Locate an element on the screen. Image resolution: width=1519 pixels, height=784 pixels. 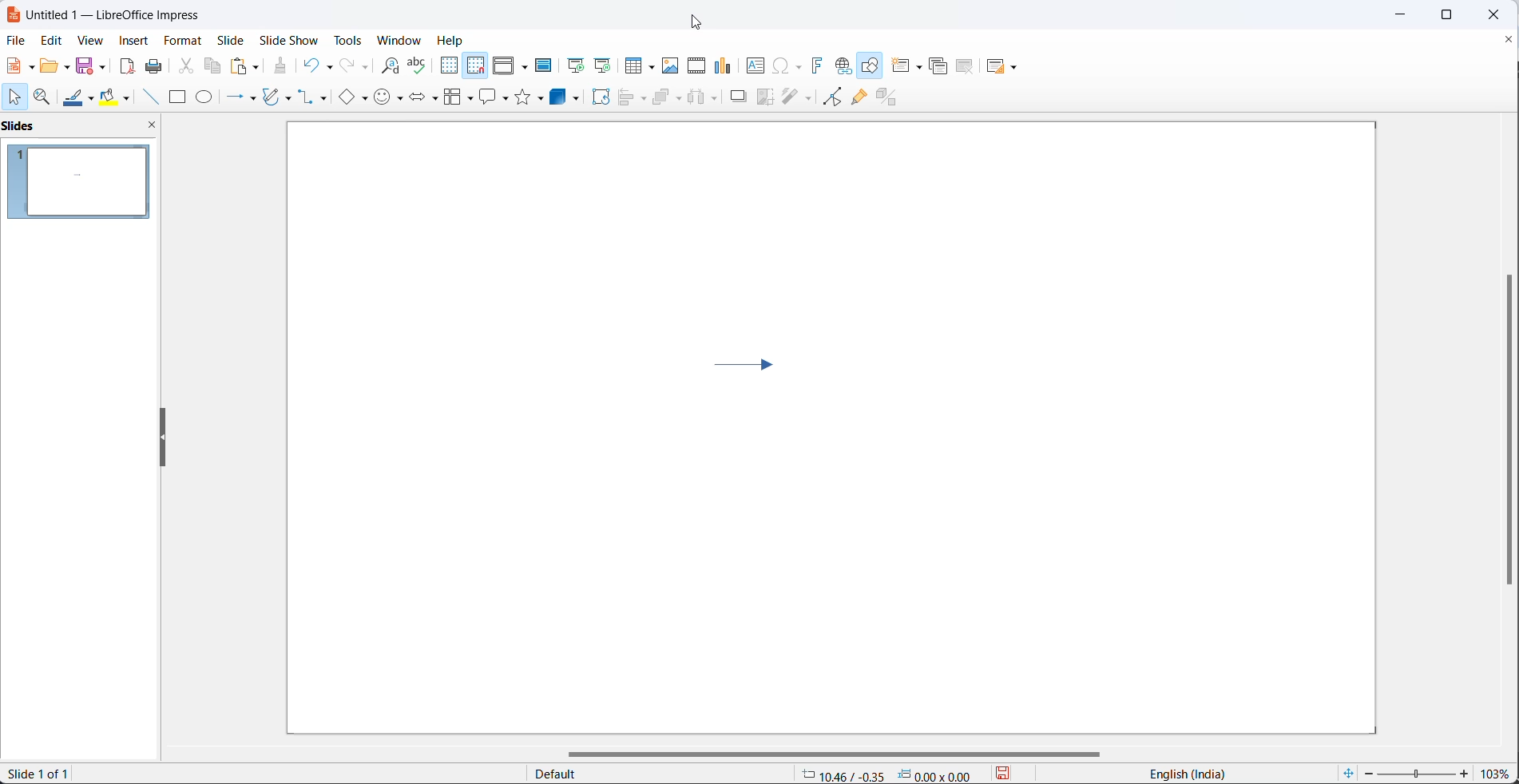
scroll bar is located at coordinates (846, 750).